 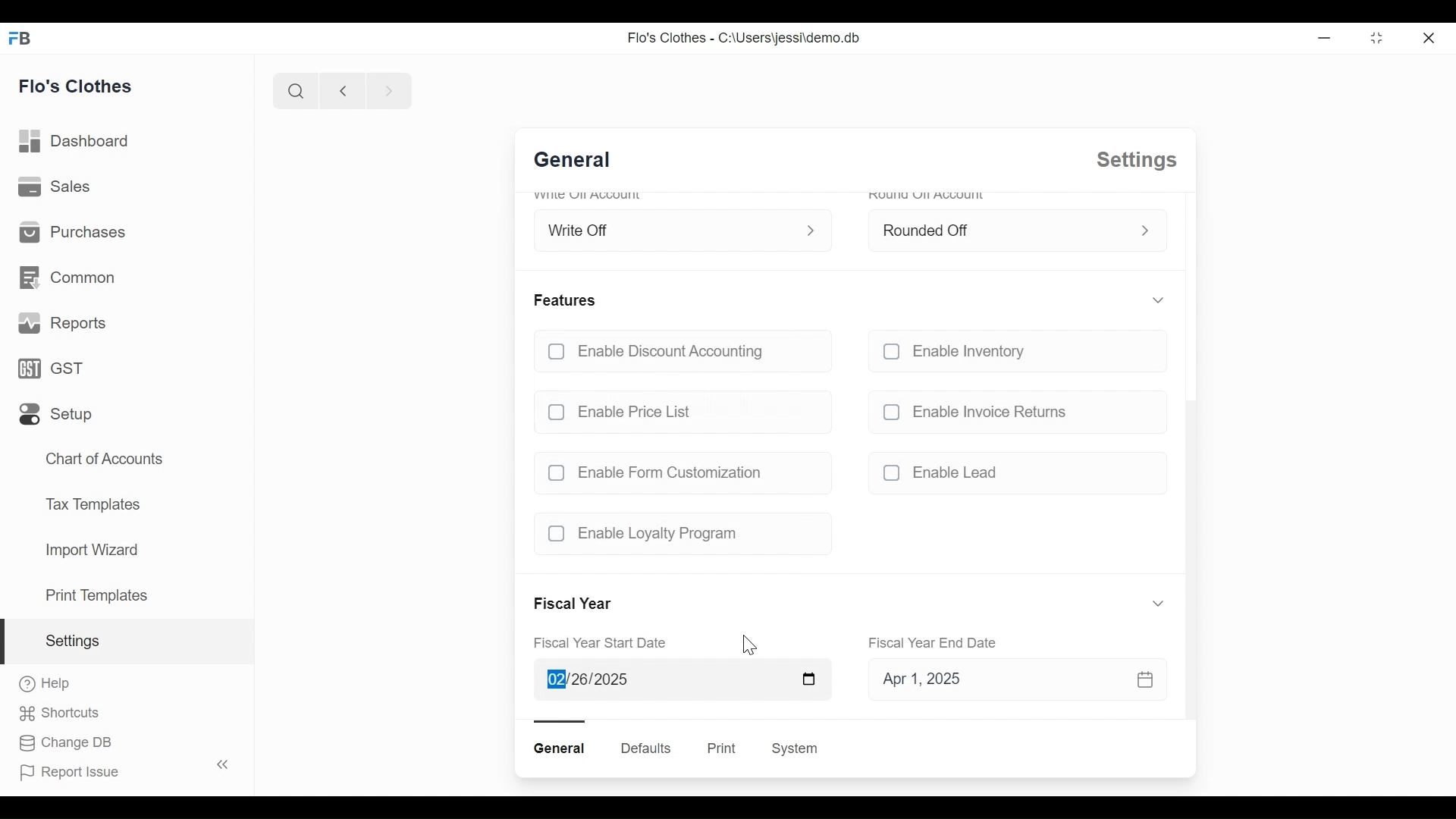 I want to click on Flo's Clothes - C:\Users\jessi\demo.db, so click(x=742, y=38).